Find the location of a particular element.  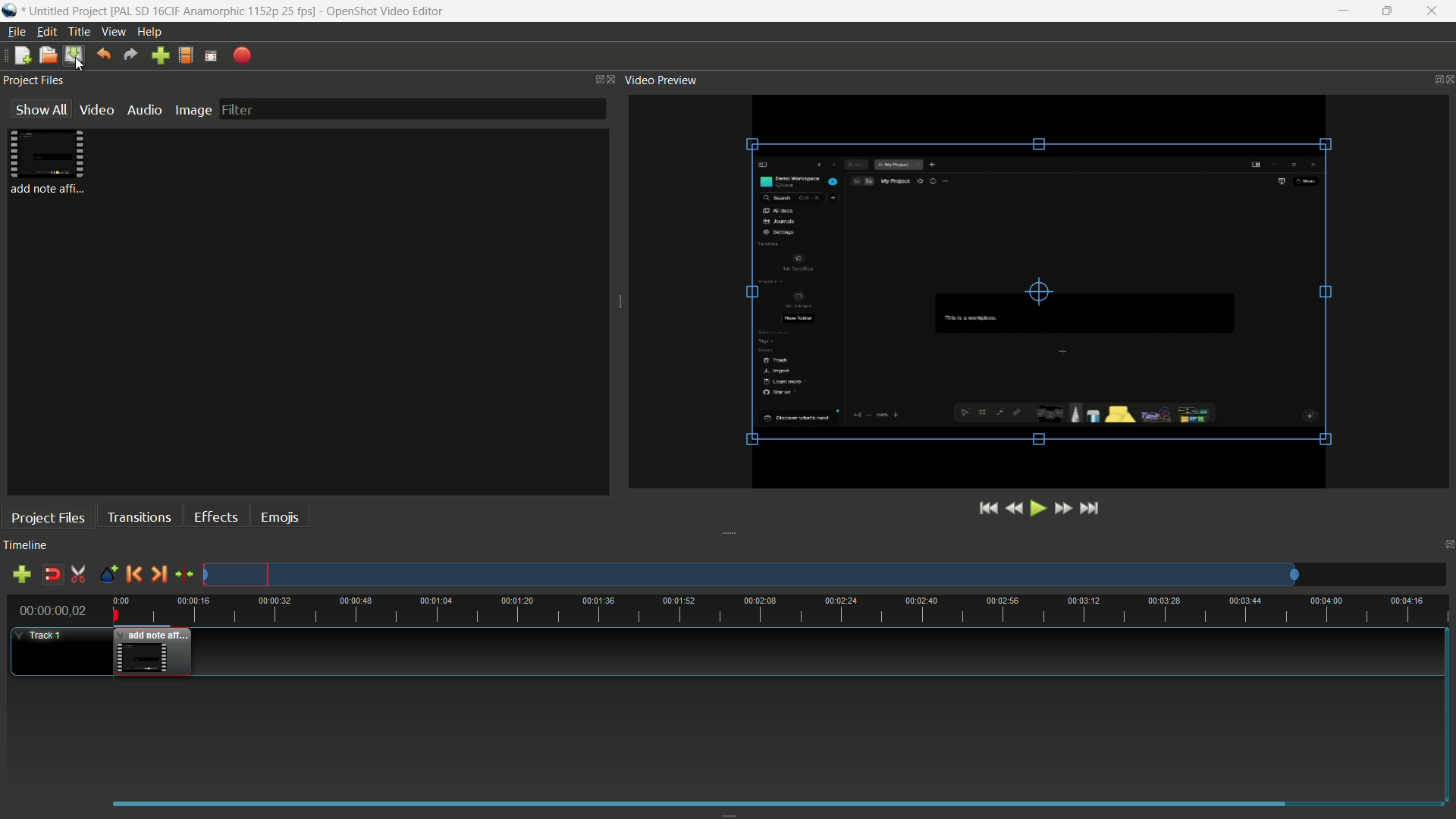

play or pause is located at coordinates (1040, 508).